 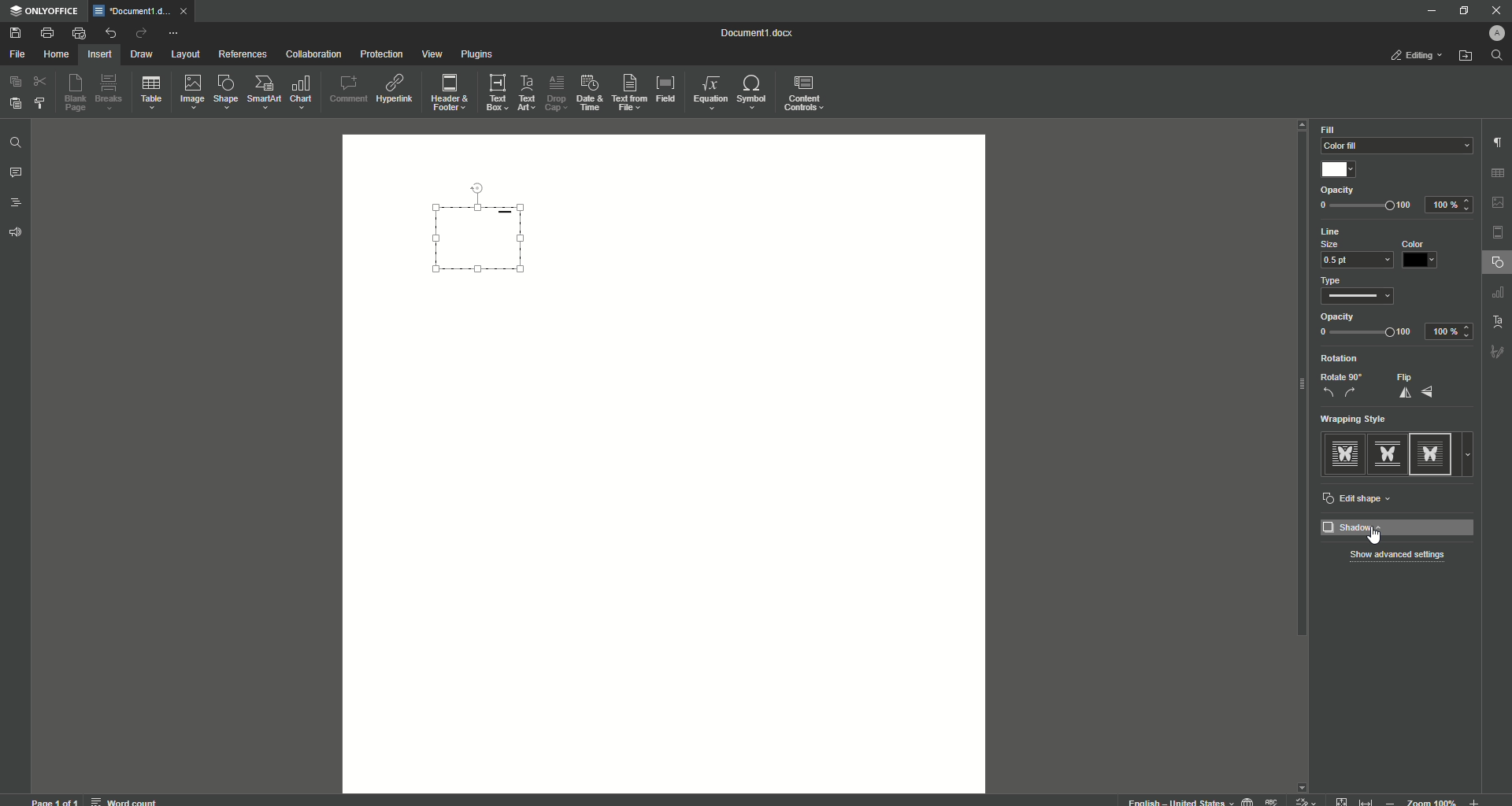 What do you see at coordinates (1173, 800) in the screenshot?
I see `text language` at bounding box center [1173, 800].